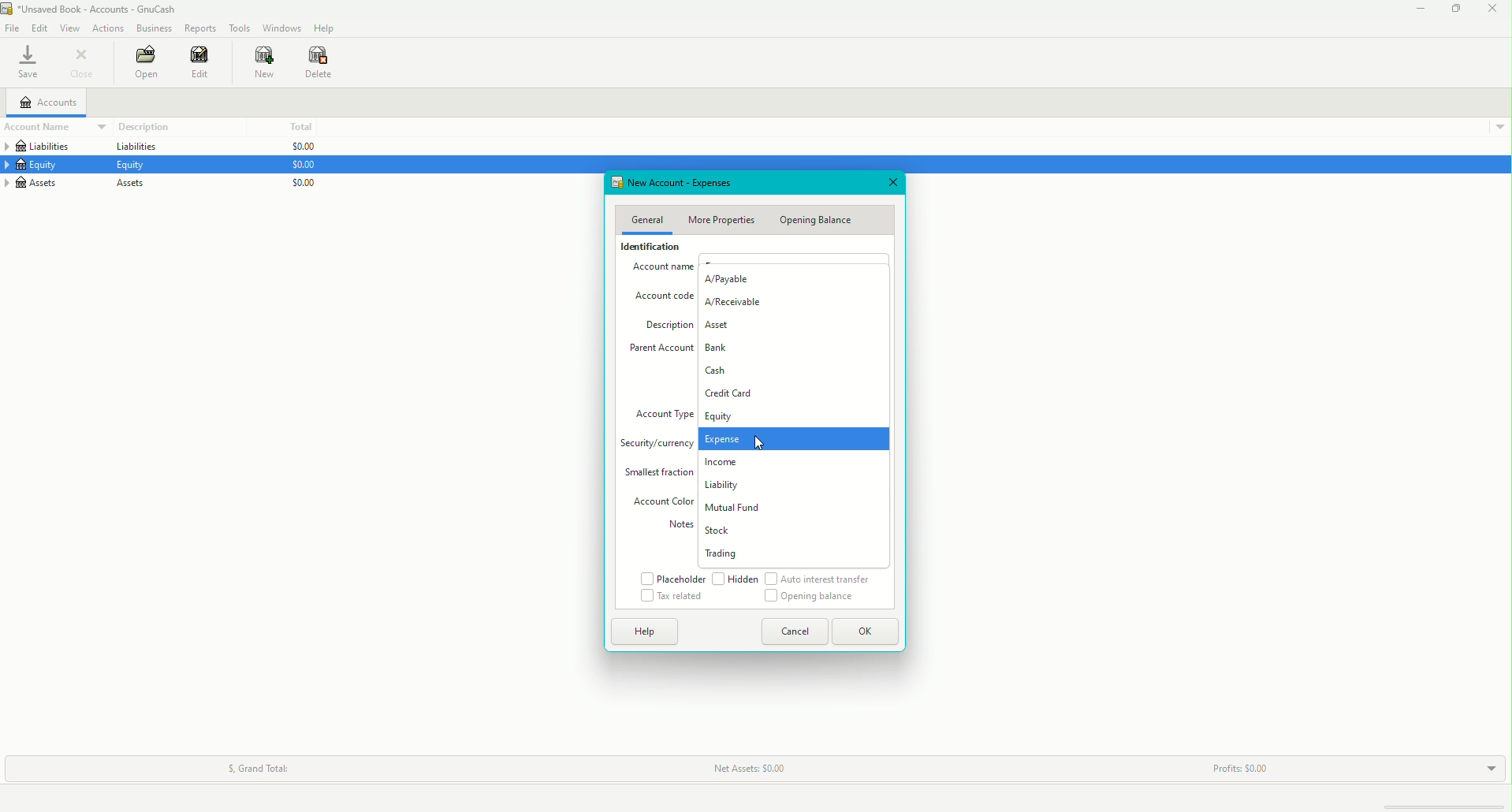  What do you see at coordinates (662, 295) in the screenshot?
I see `Account Code` at bounding box center [662, 295].